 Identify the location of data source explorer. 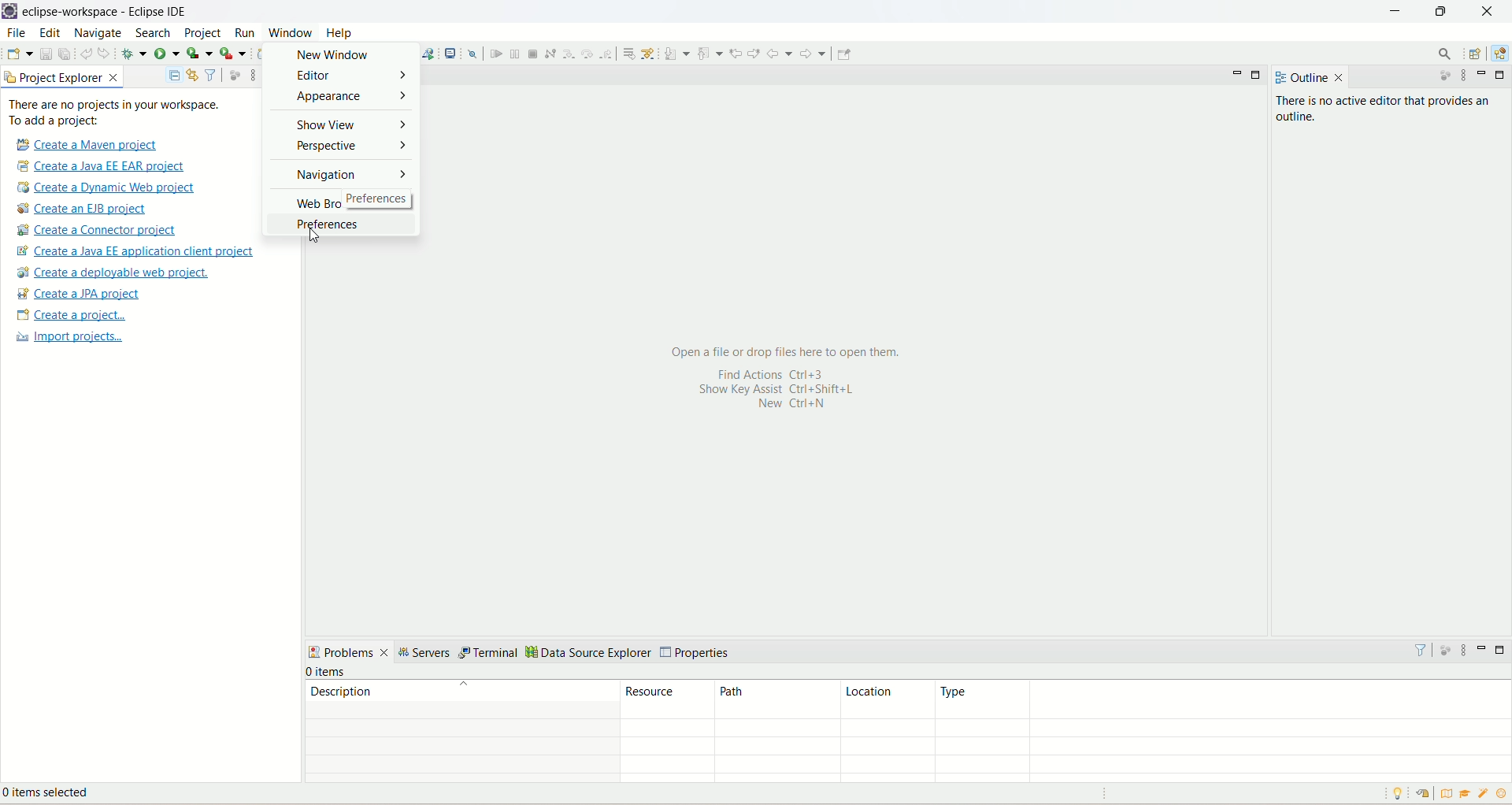
(589, 654).